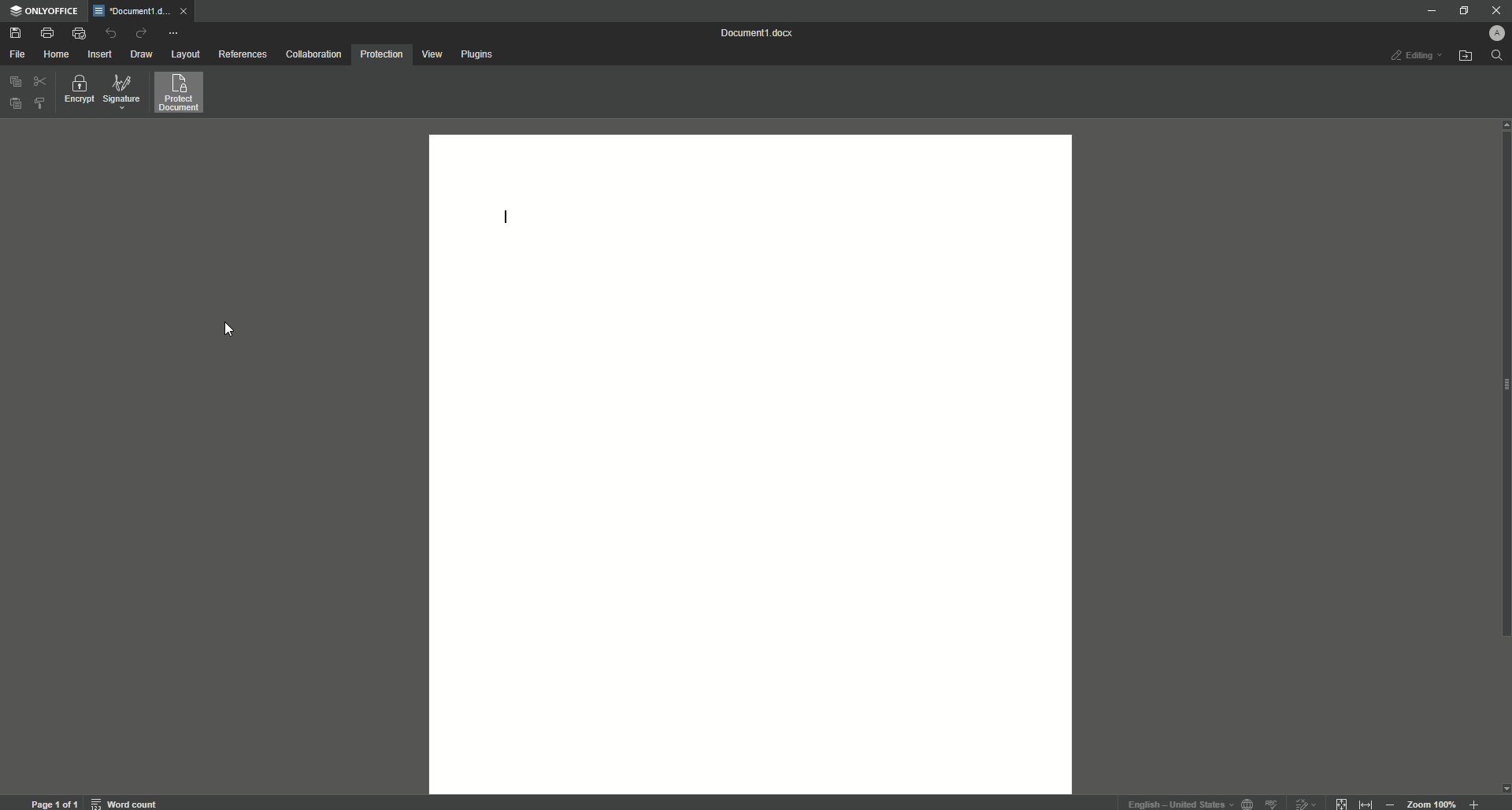  What do you see at coordinates (1458, 10) in the screenshot?
I see `Restore` at bounding box center [1458, 10].